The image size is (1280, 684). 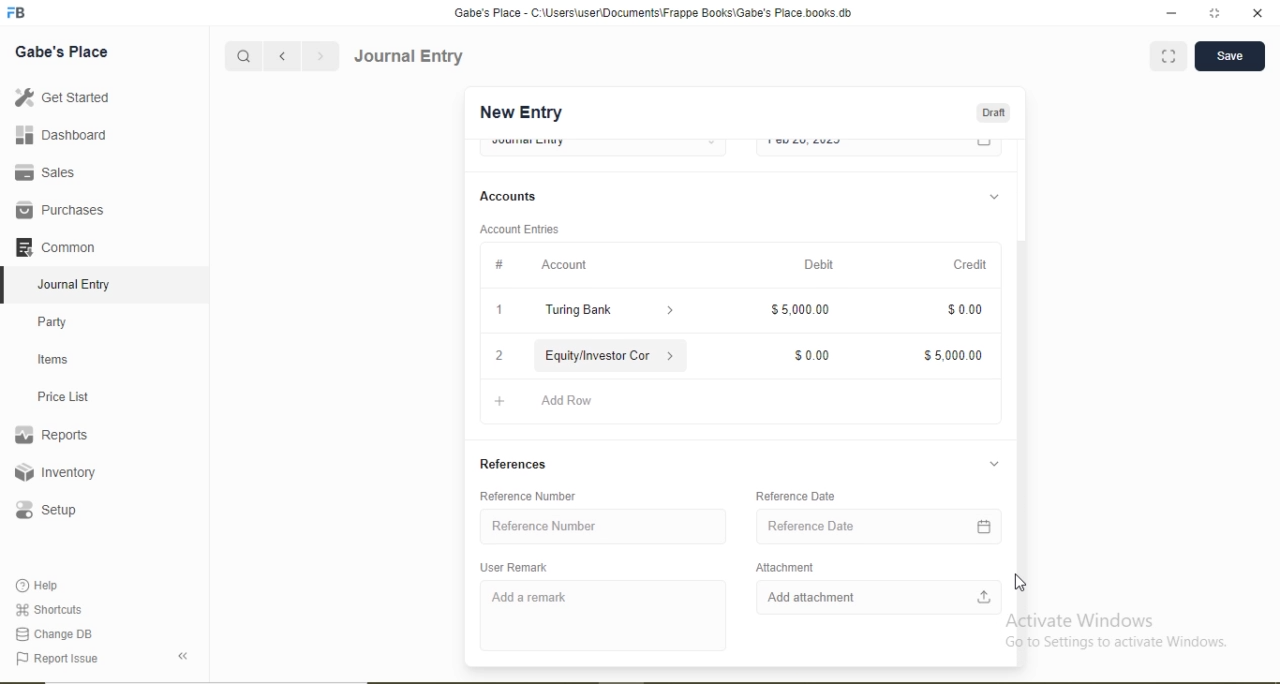 What do you see at coordinates (812, 526) in the screenshot?
I see `Reference Date` at bounding box center [812, 526].